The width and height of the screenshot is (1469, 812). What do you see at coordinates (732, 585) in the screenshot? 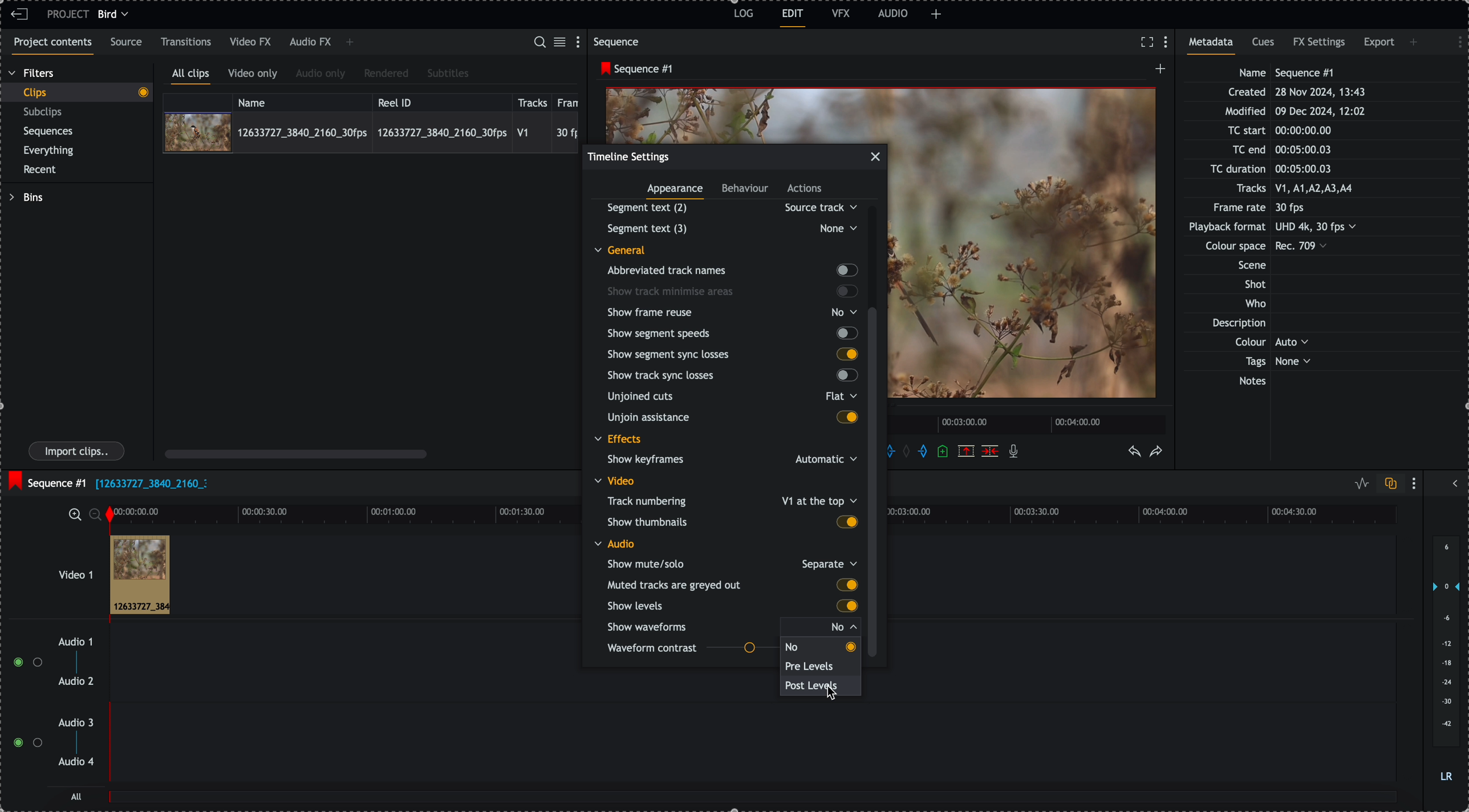
I see `muted tracks are greyed out` at bounding box center [732, 585].